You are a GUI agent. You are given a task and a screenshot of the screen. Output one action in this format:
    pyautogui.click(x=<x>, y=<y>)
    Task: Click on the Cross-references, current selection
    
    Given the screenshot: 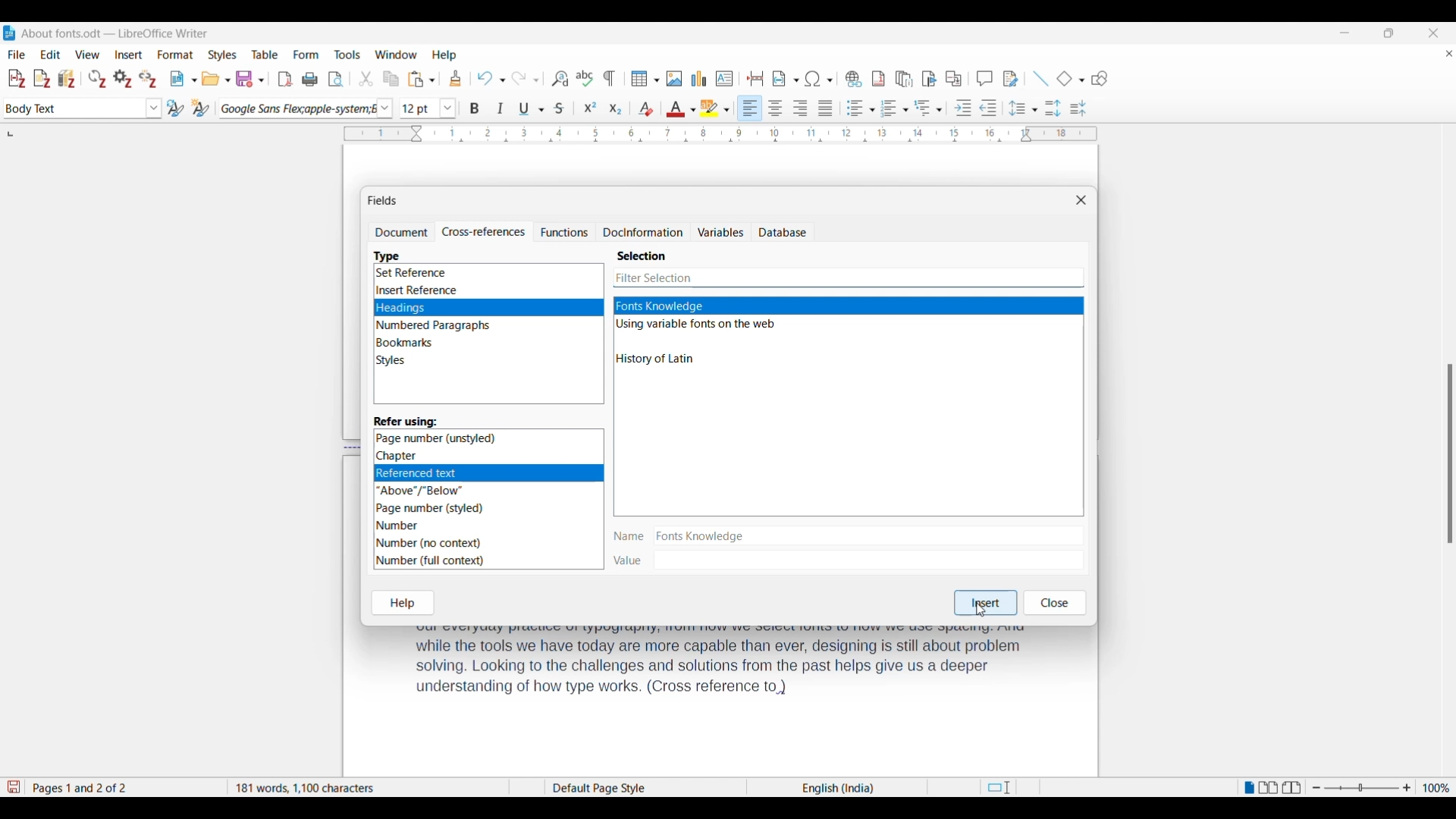 What is the action you would take?
    pyautogui.click(x=483, y=232)
    